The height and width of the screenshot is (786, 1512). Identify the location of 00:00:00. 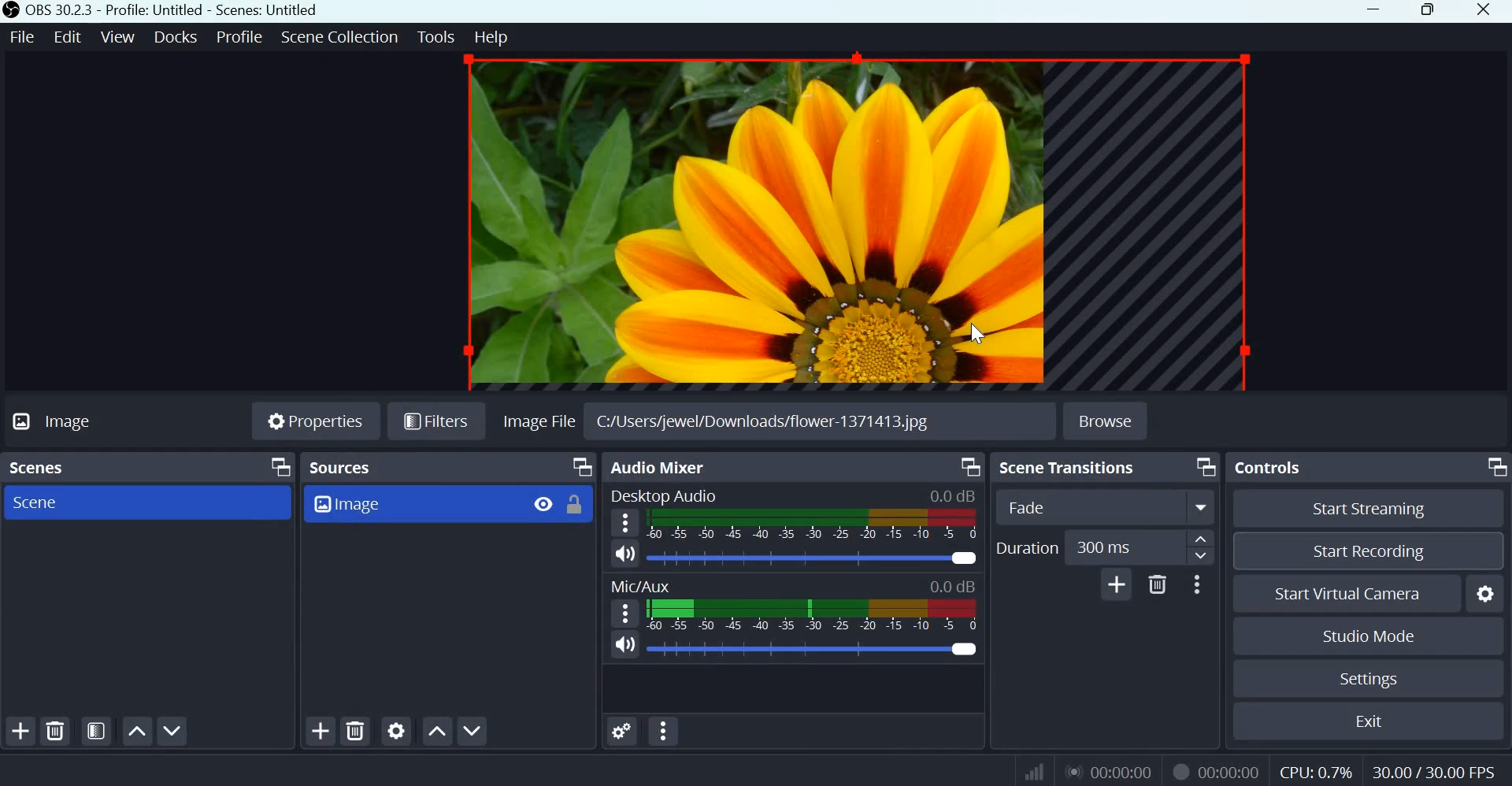
(1231, 772).